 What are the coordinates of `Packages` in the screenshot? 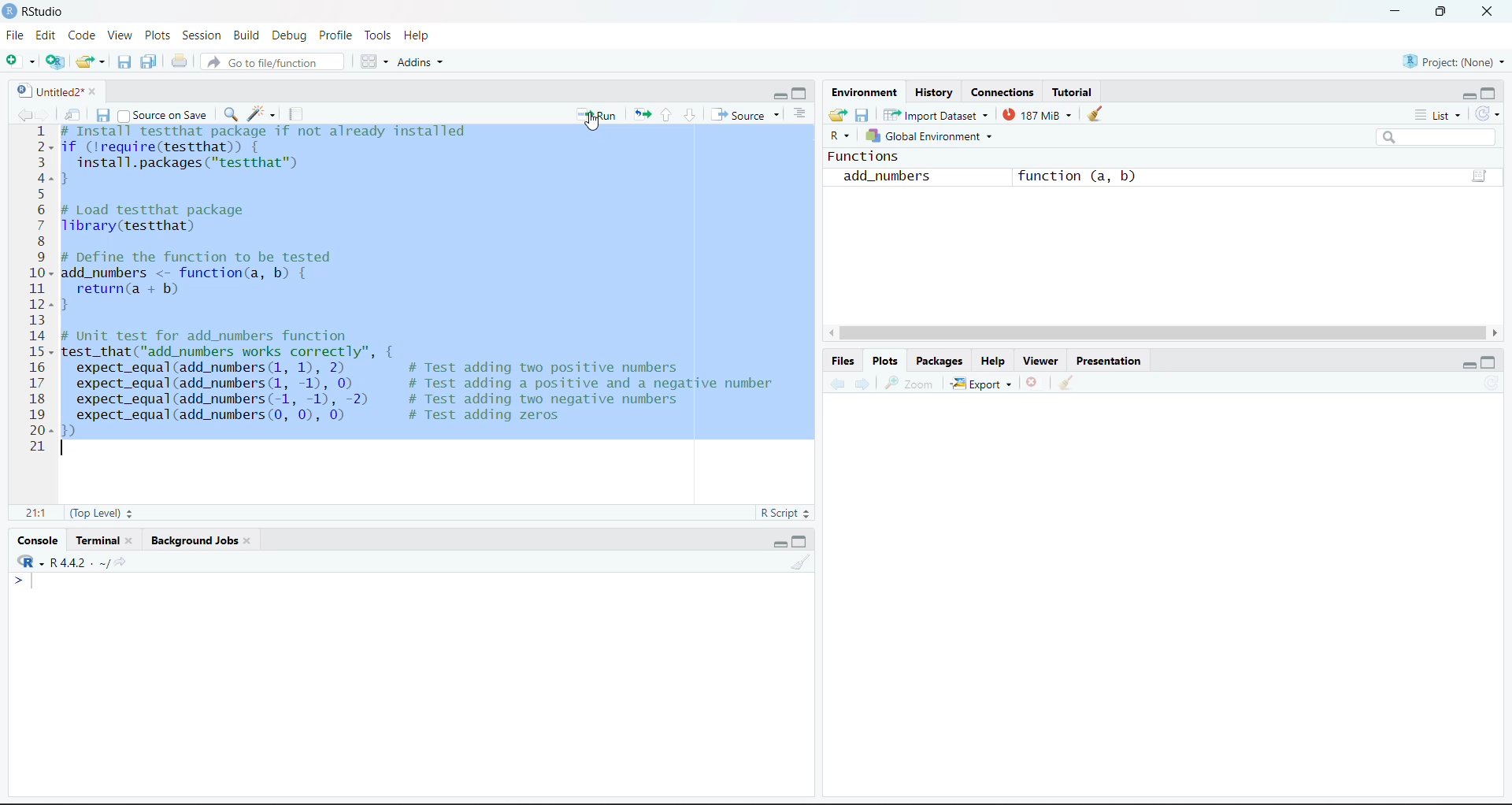 It's located at (939, 361).